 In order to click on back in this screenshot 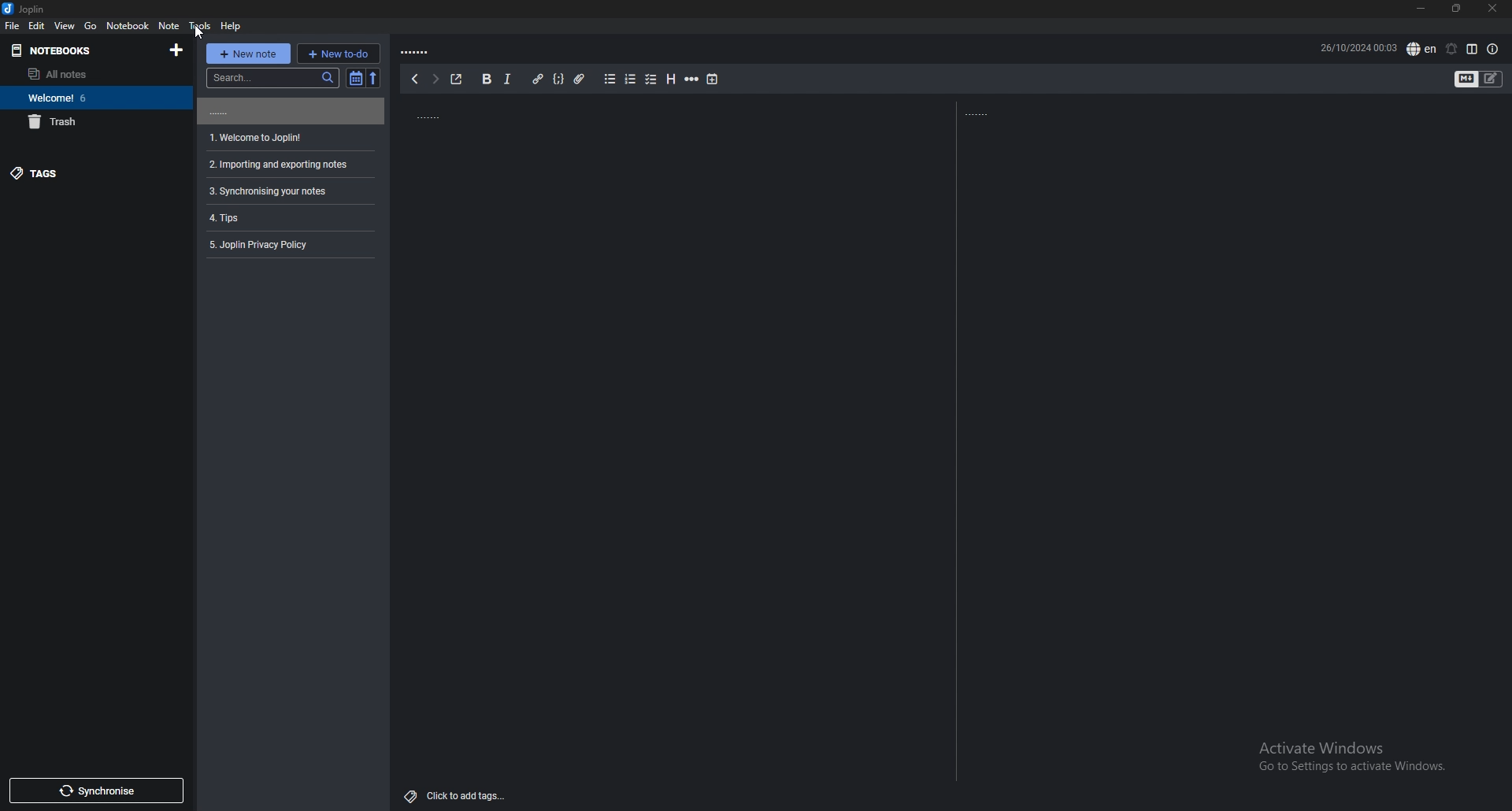, I will do `click(413, 79)`.